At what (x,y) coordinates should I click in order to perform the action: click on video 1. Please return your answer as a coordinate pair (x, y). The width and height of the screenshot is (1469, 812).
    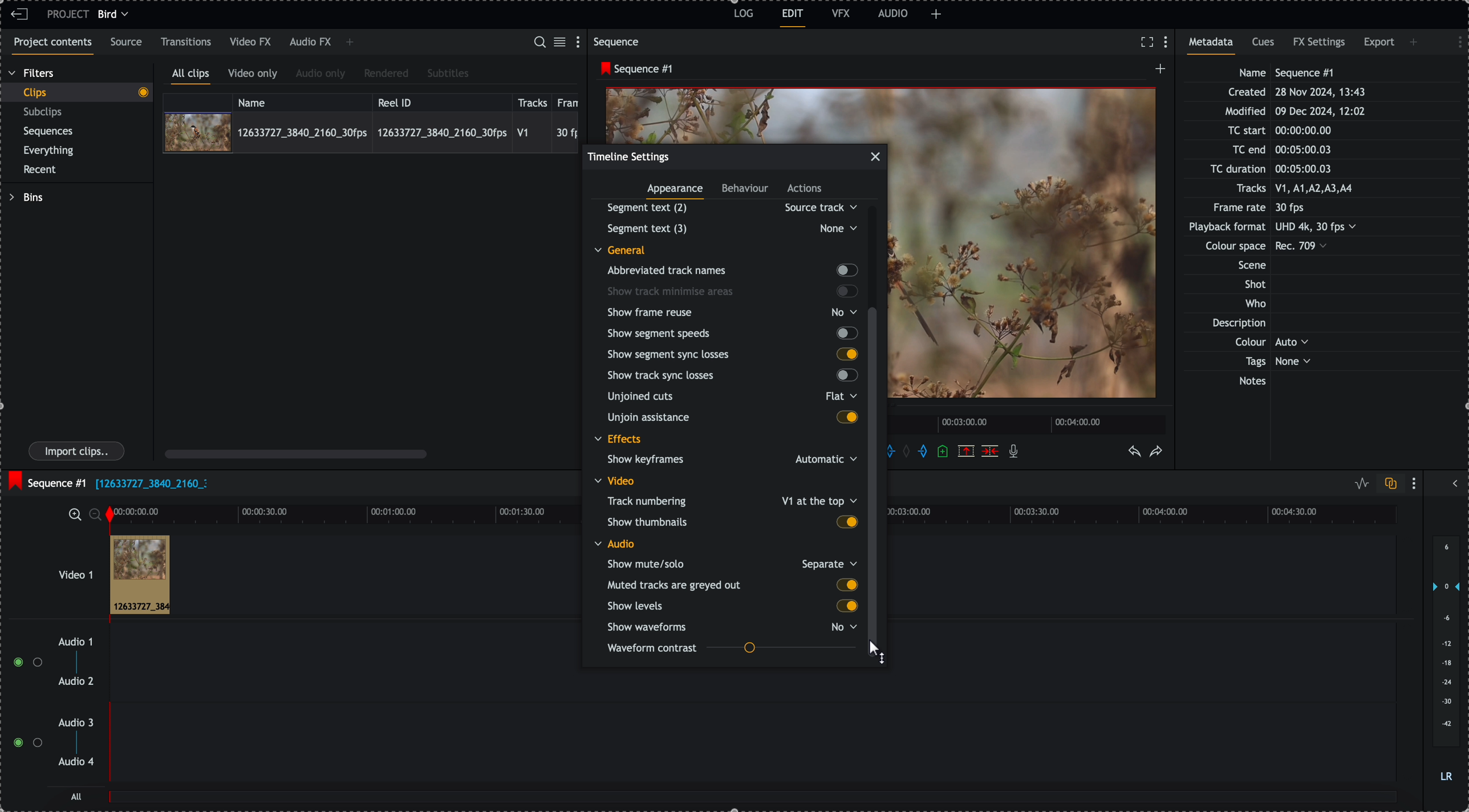
    Looking at the image, I should click on (60, 569).